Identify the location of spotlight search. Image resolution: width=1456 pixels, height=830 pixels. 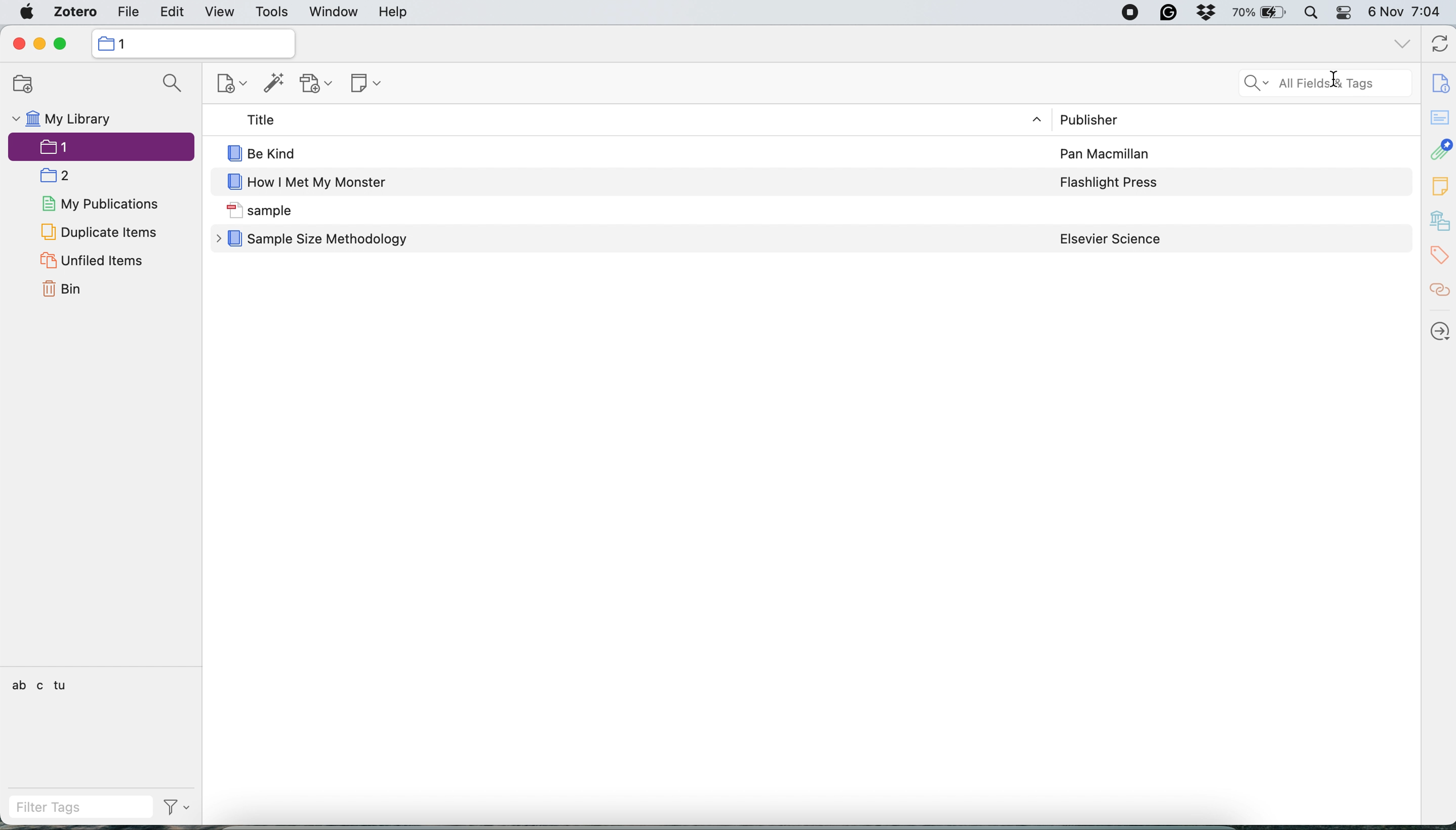
(1315, 14).